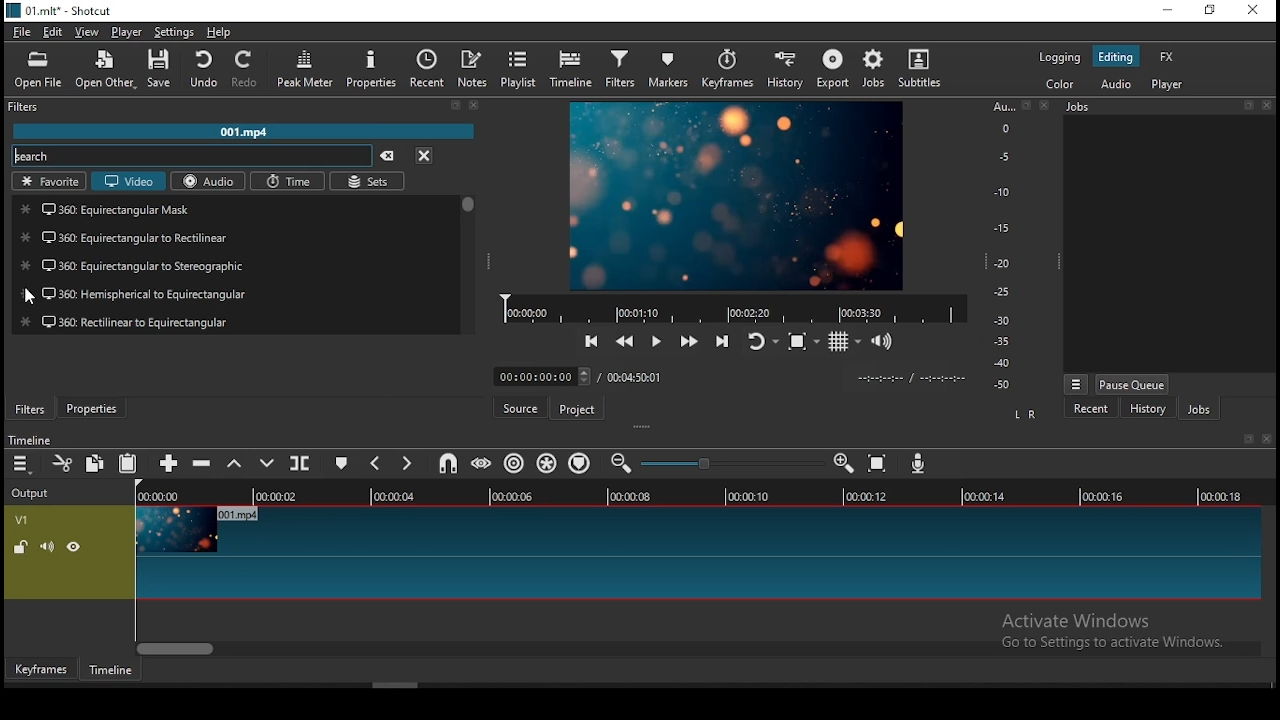  I want to click on pause queue, so click(1133, 384).